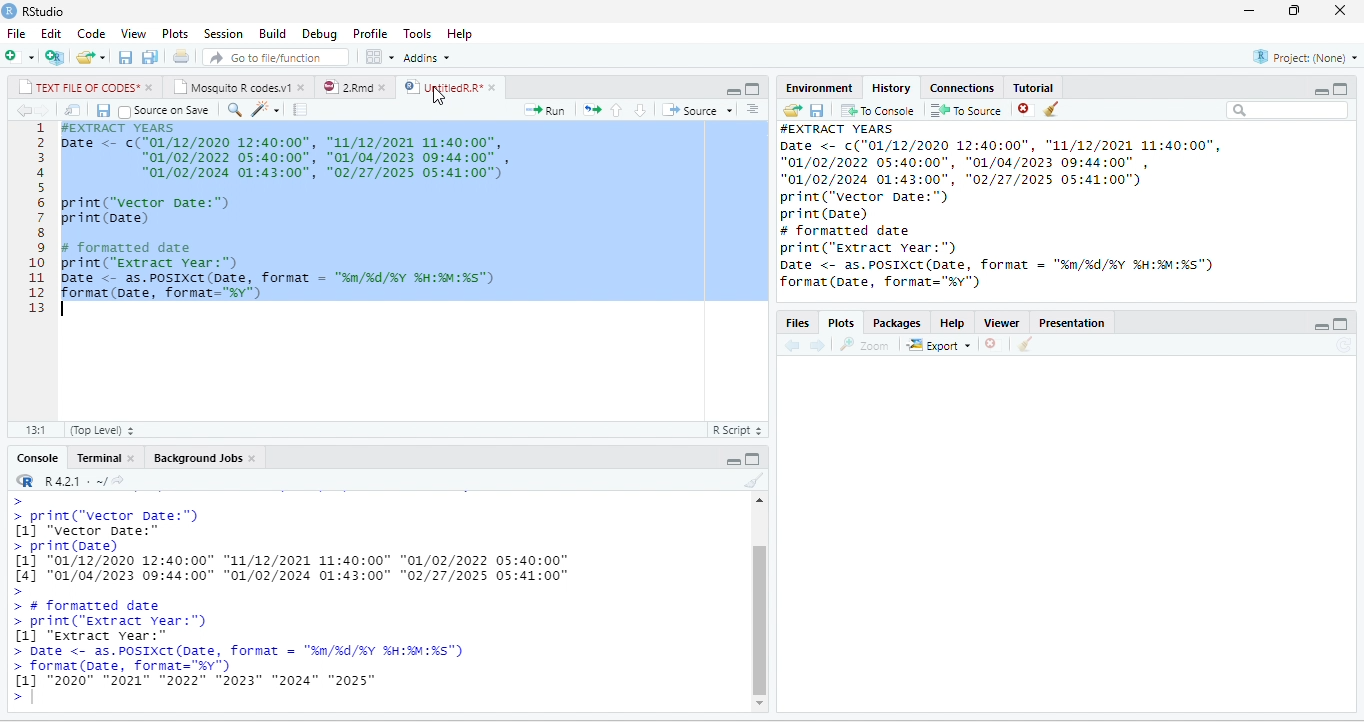 This screenshot has height=722, width=1364. Describe the element at coordinates (1294, 11) in the screenshot. I see `resize` at that location.